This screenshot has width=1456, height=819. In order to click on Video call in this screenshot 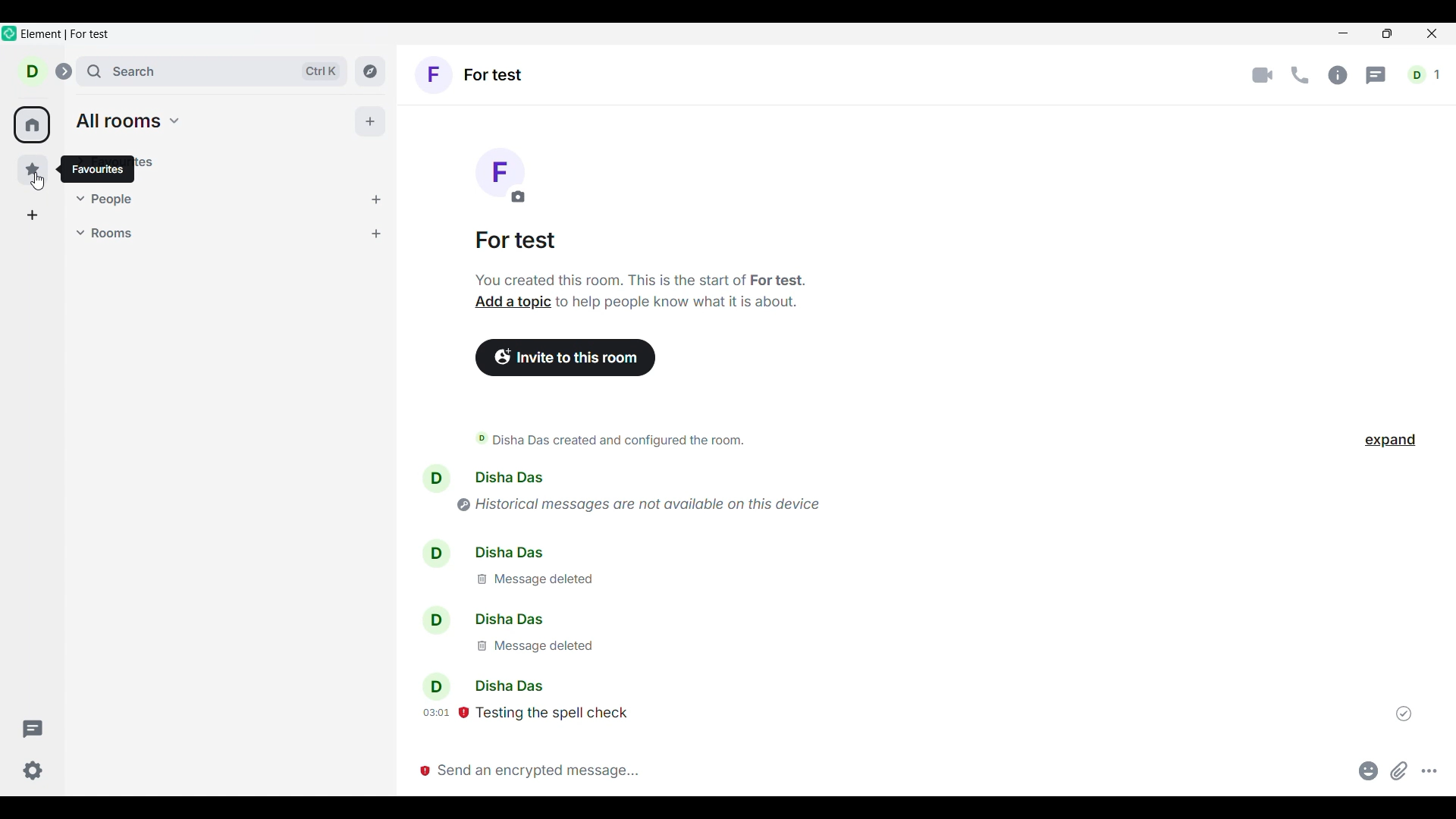, I will do `click(1263, 75)`.